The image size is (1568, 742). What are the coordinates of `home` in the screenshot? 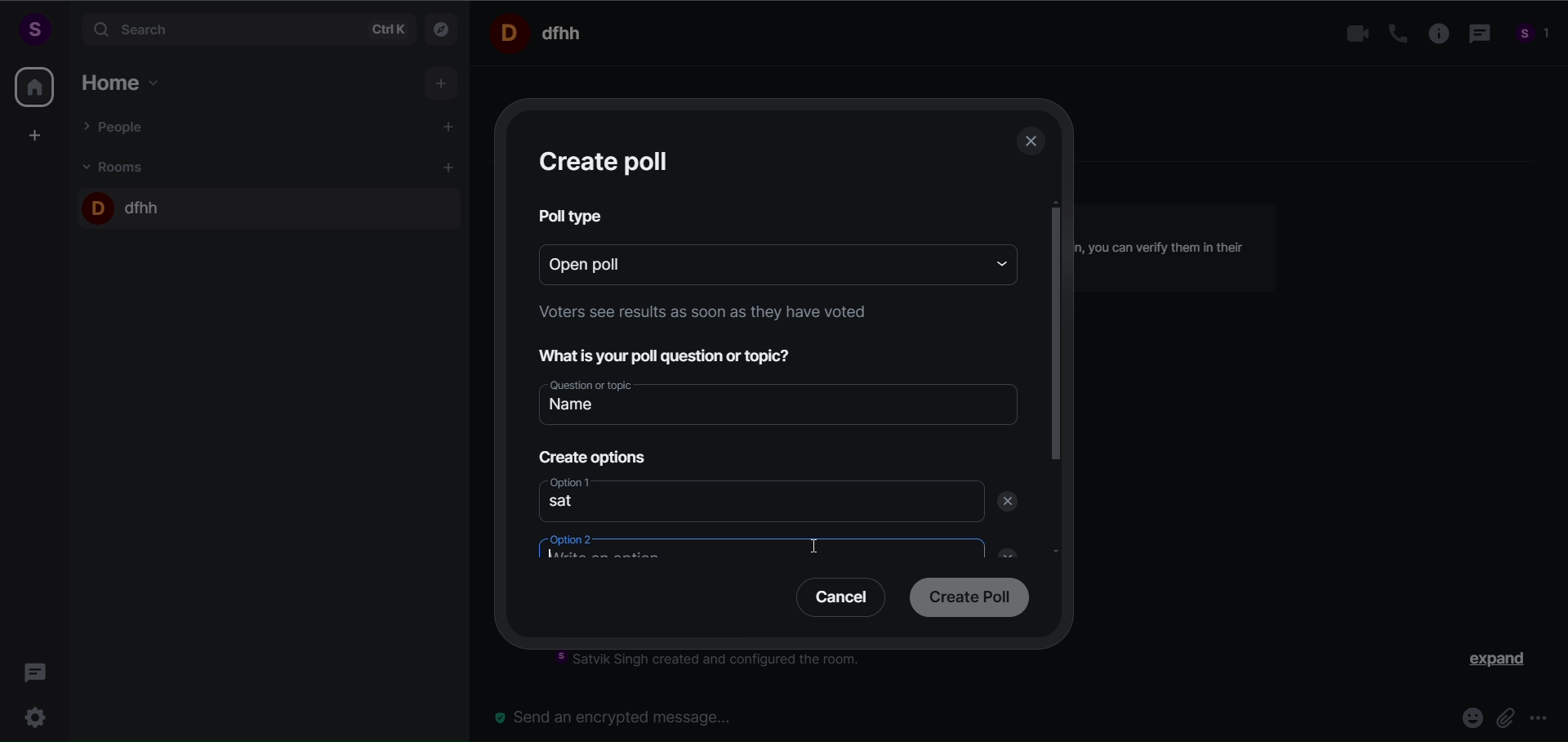 It's located at (34, 87).